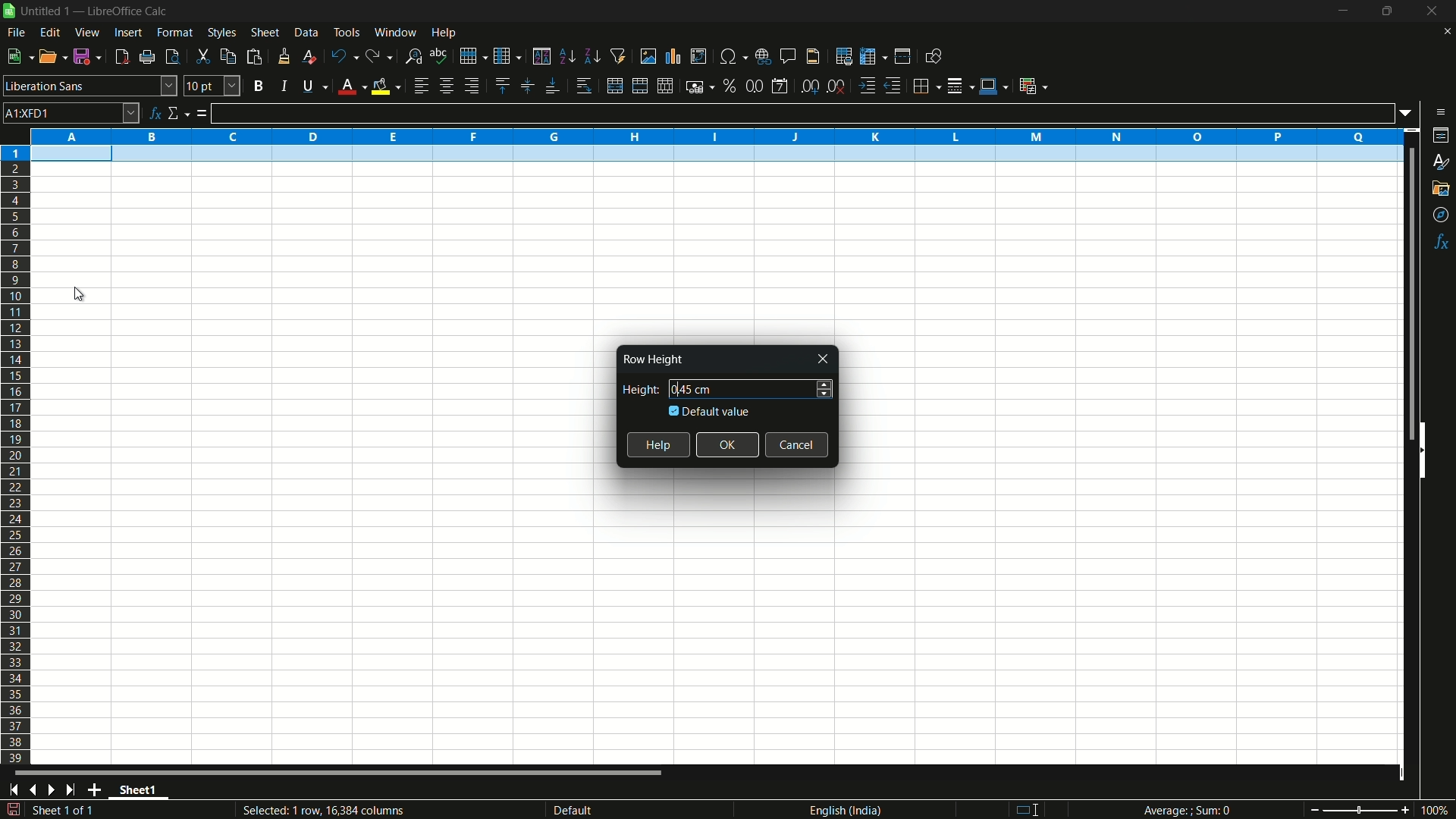 This screenshot has height=819, width=1456. Describe the element at coordinates (227, 56) in the screenshot. I see `copy` at that location.